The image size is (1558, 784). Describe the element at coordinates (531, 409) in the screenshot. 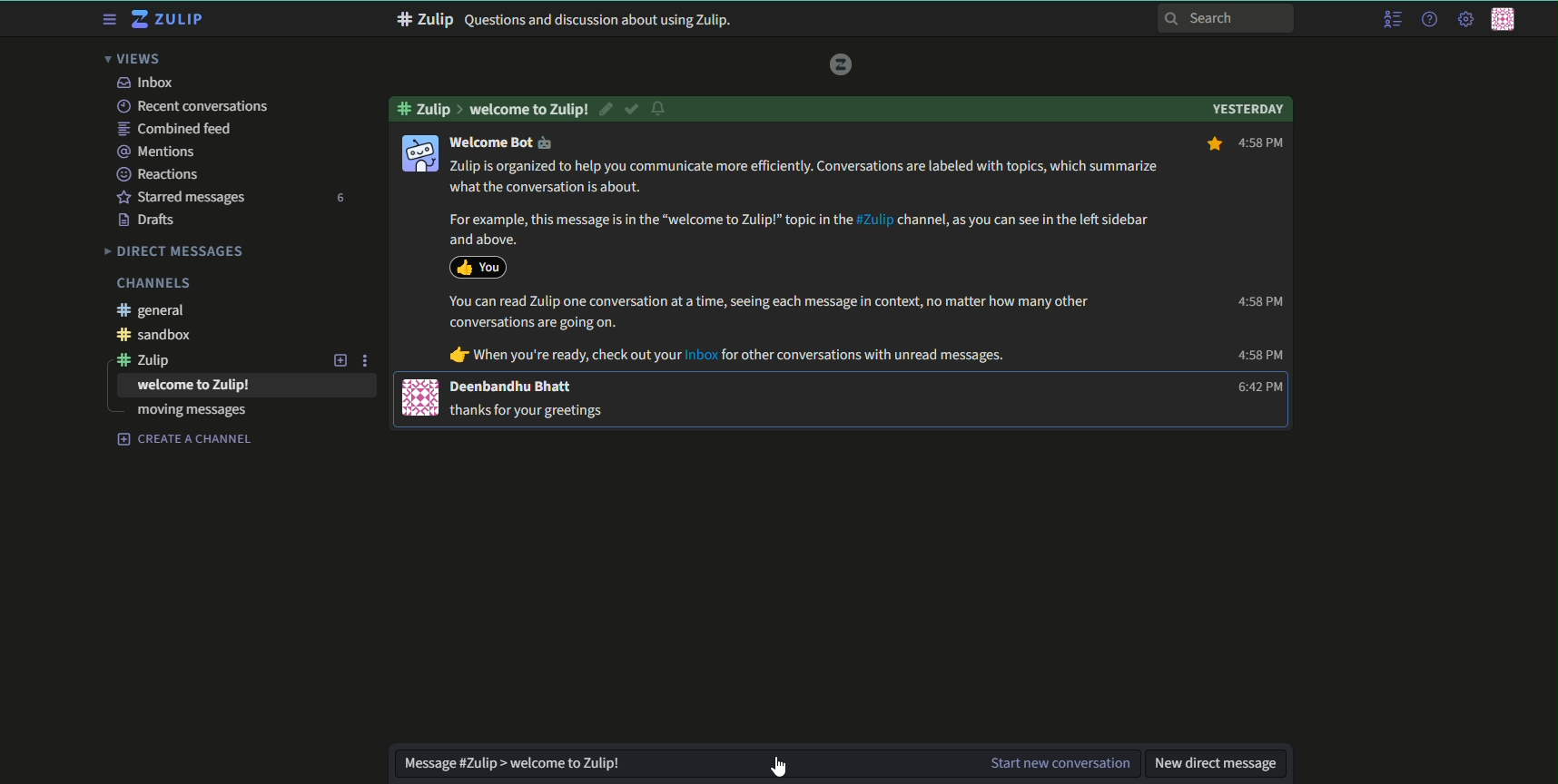

I see `thanks for your greetings` at that location.